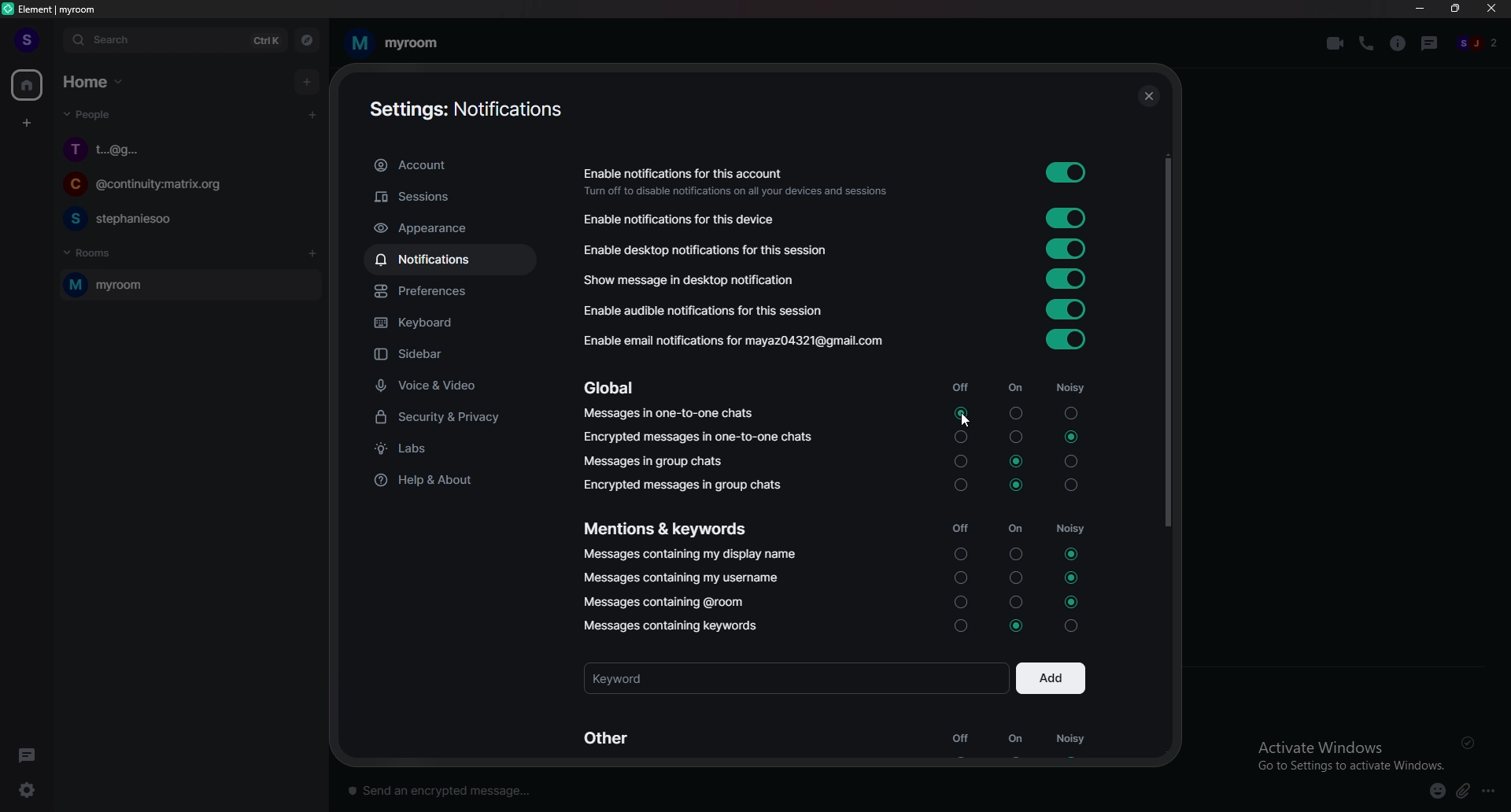 The height and width of the screenshot is (812, 1511). I want to click on attachment, so click(1463, 792).